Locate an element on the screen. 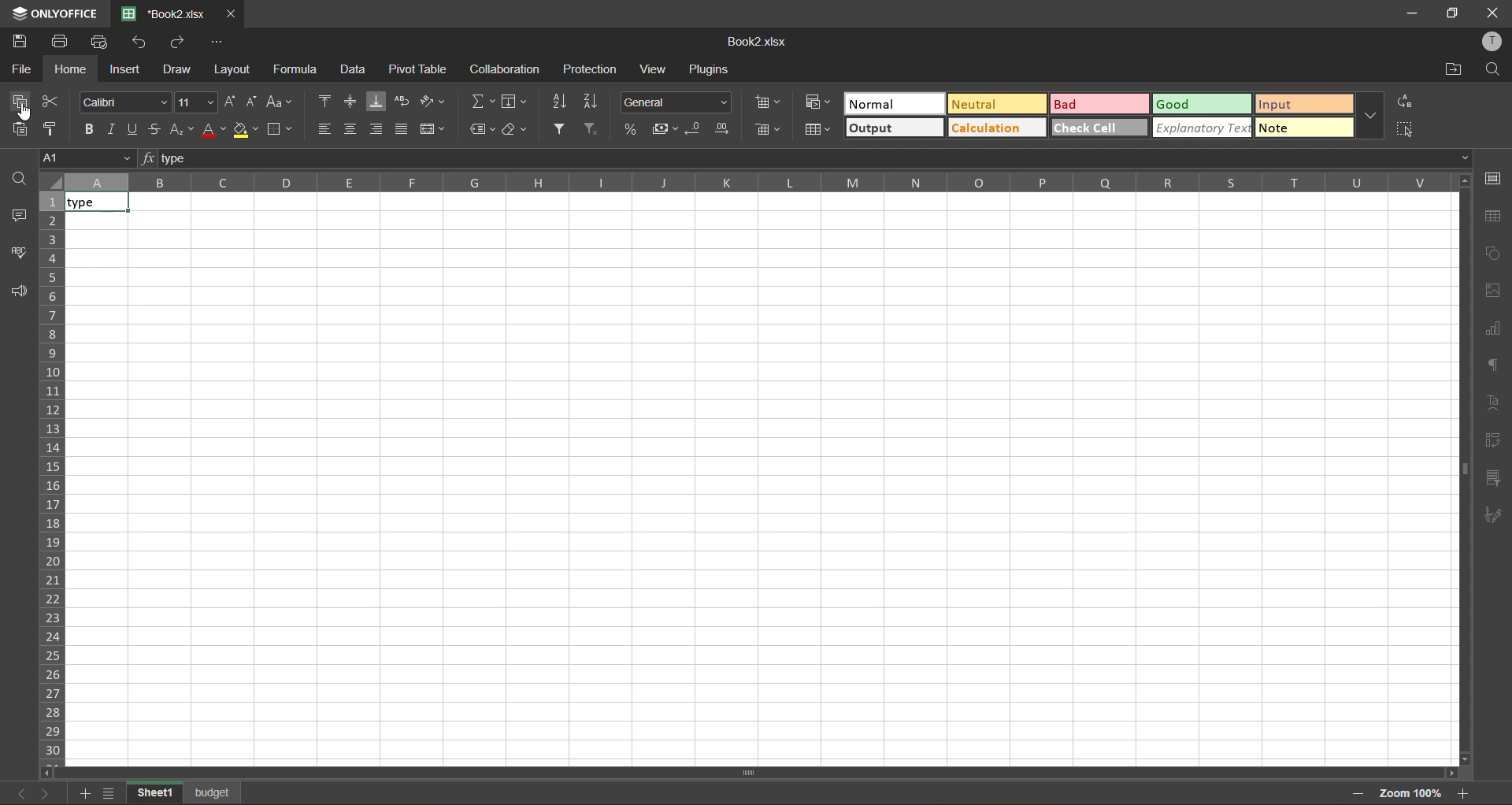 This screenshot has width=1512, height=805. clear is located at coordinates (515, 129).